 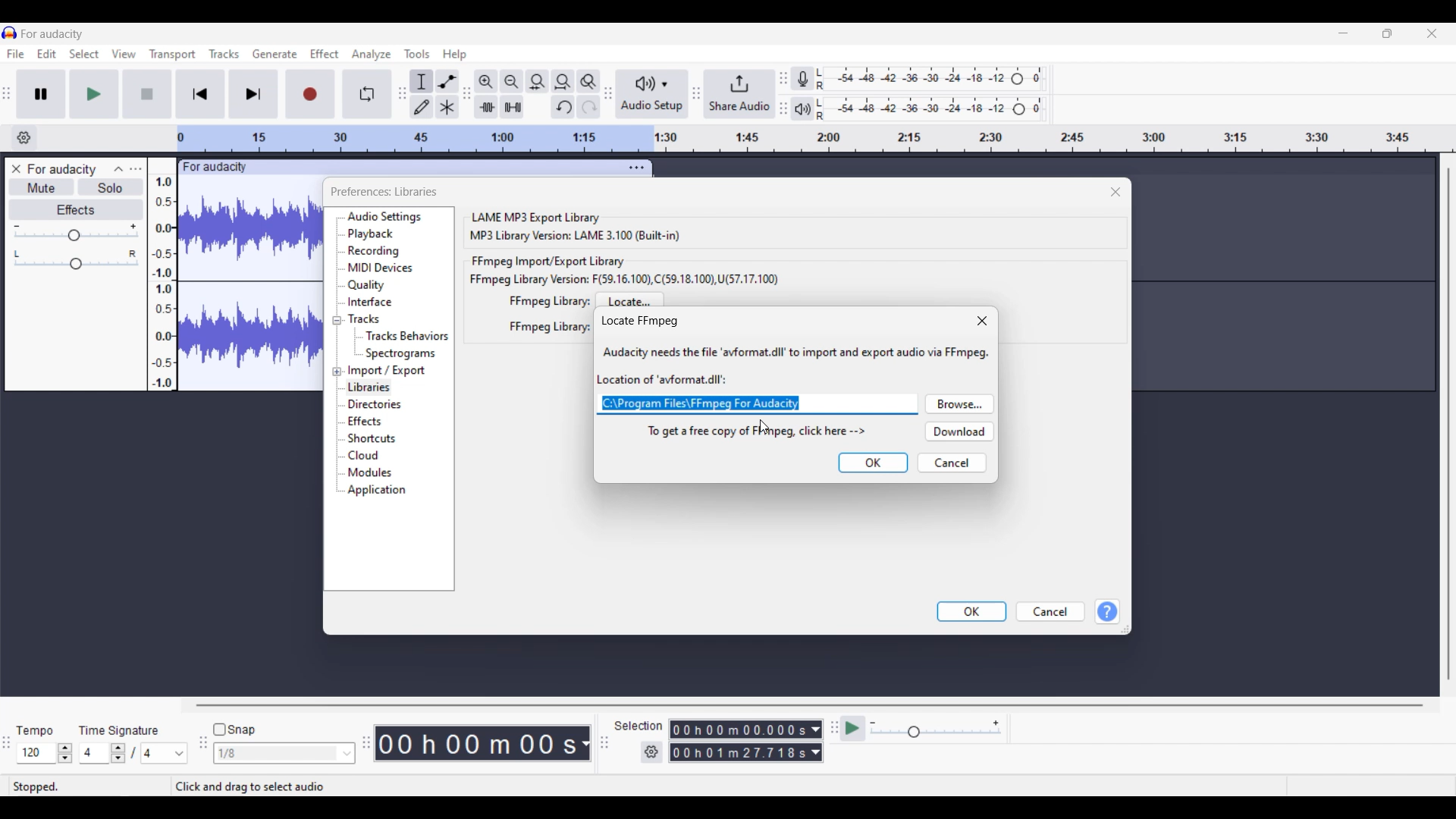 I want to click on Playback level, so click(x=930, y=109).